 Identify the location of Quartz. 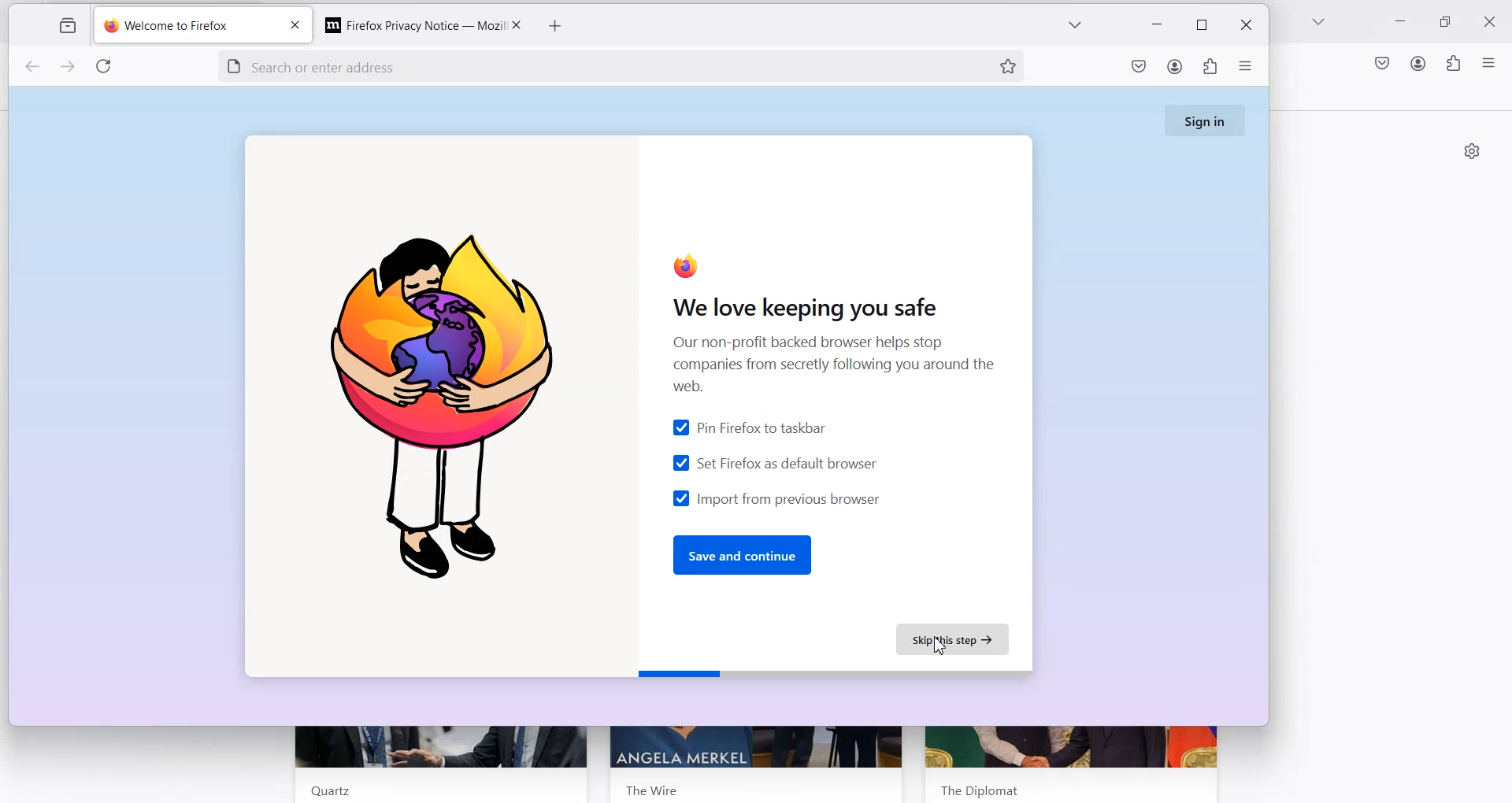
(324, 790).